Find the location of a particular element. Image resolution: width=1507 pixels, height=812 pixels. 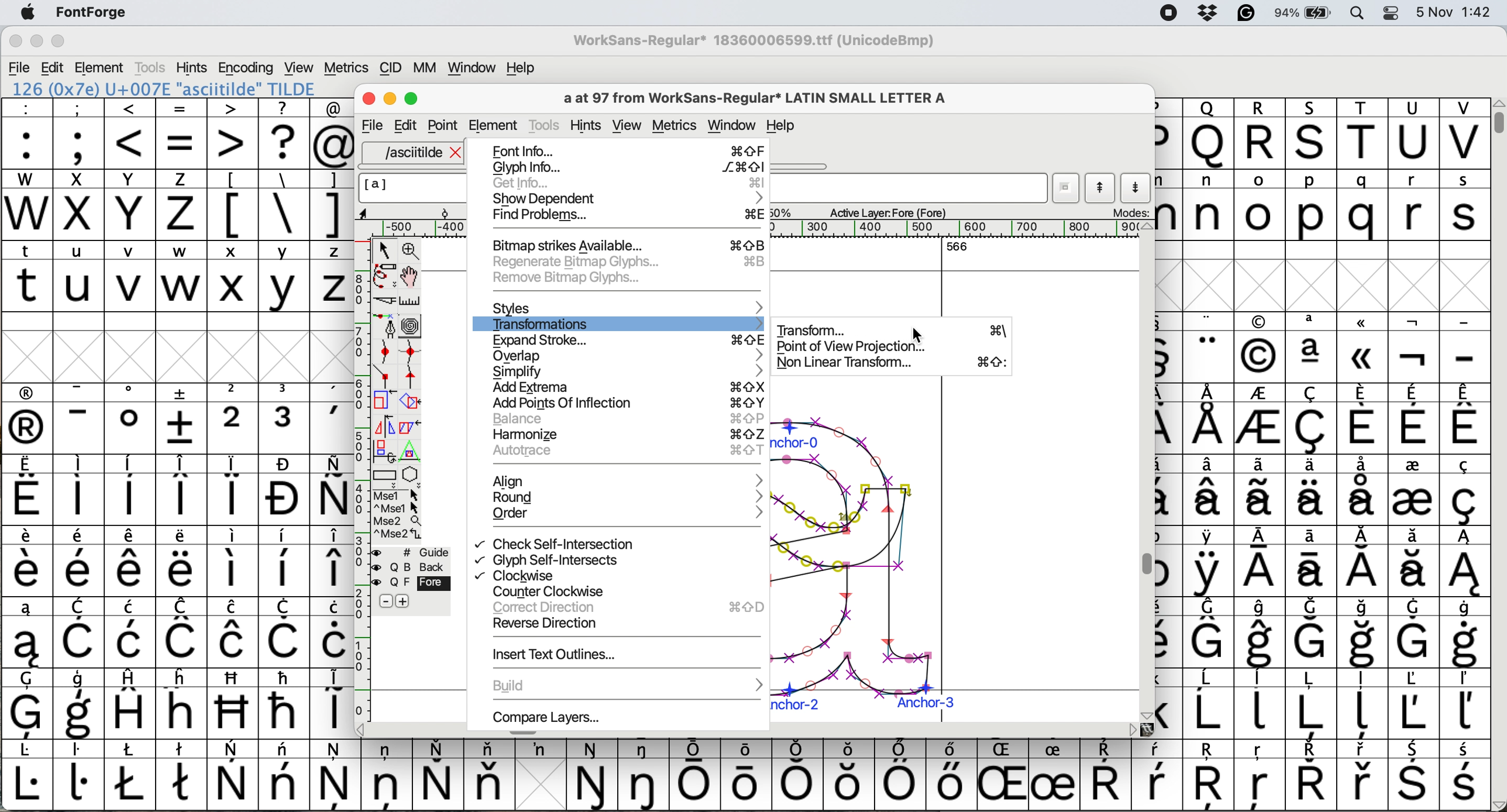

symbol is located at coordinates (183, 773).